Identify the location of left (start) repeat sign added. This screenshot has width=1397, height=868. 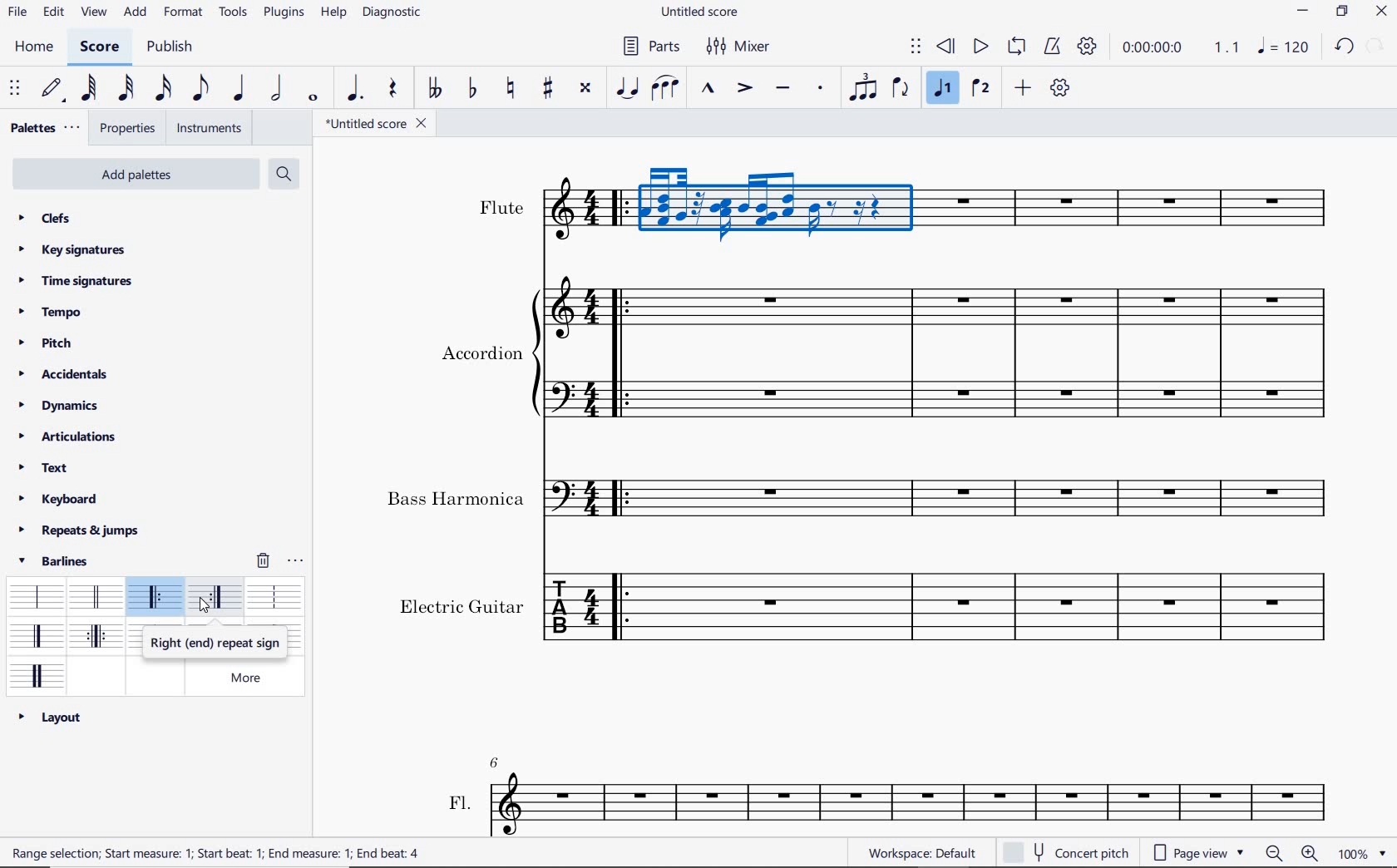
(617, 207).